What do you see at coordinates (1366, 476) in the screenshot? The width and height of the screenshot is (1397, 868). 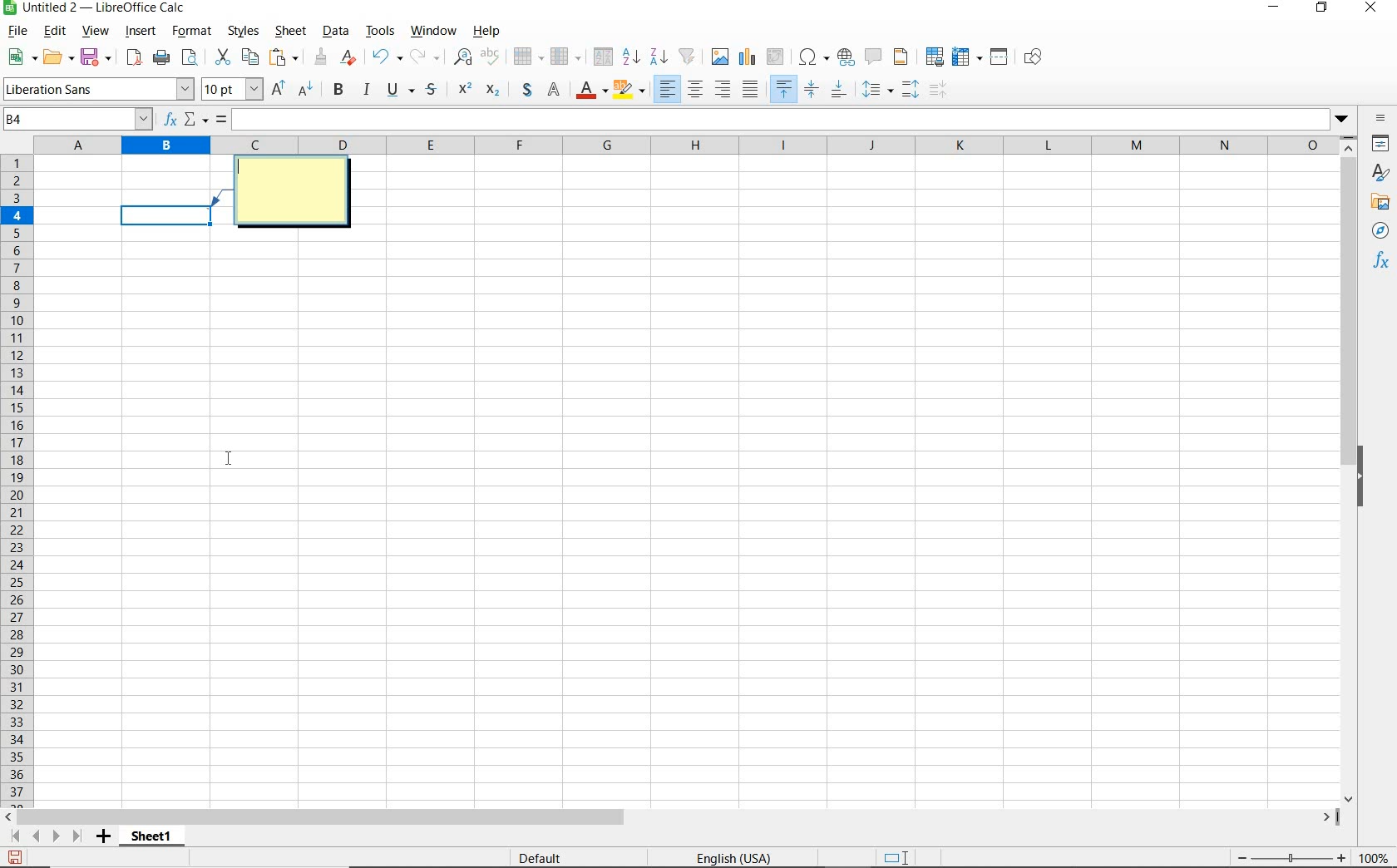 I see `hide` at bounding box center [1366, 476].